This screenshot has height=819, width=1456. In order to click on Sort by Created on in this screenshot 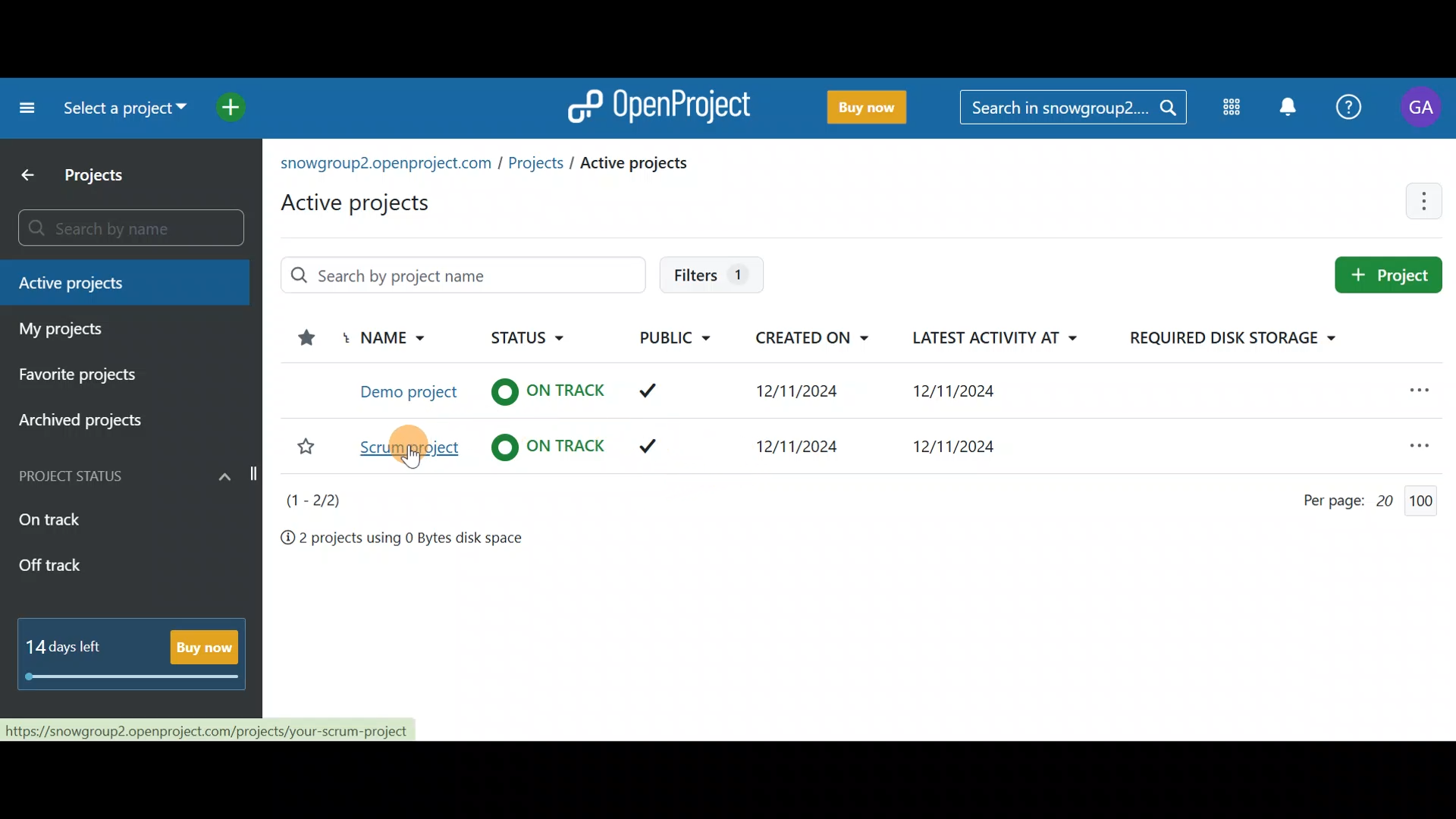, I will do `click(822, 339)`.